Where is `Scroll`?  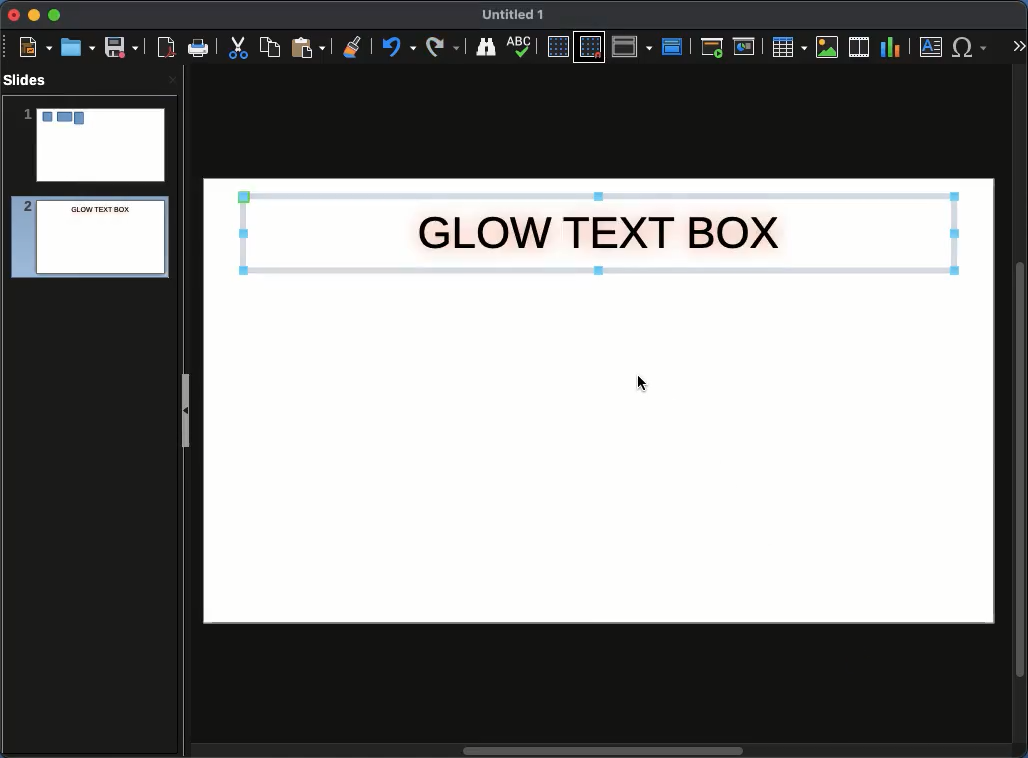 Scroll is located at coordinates (1022, 413).